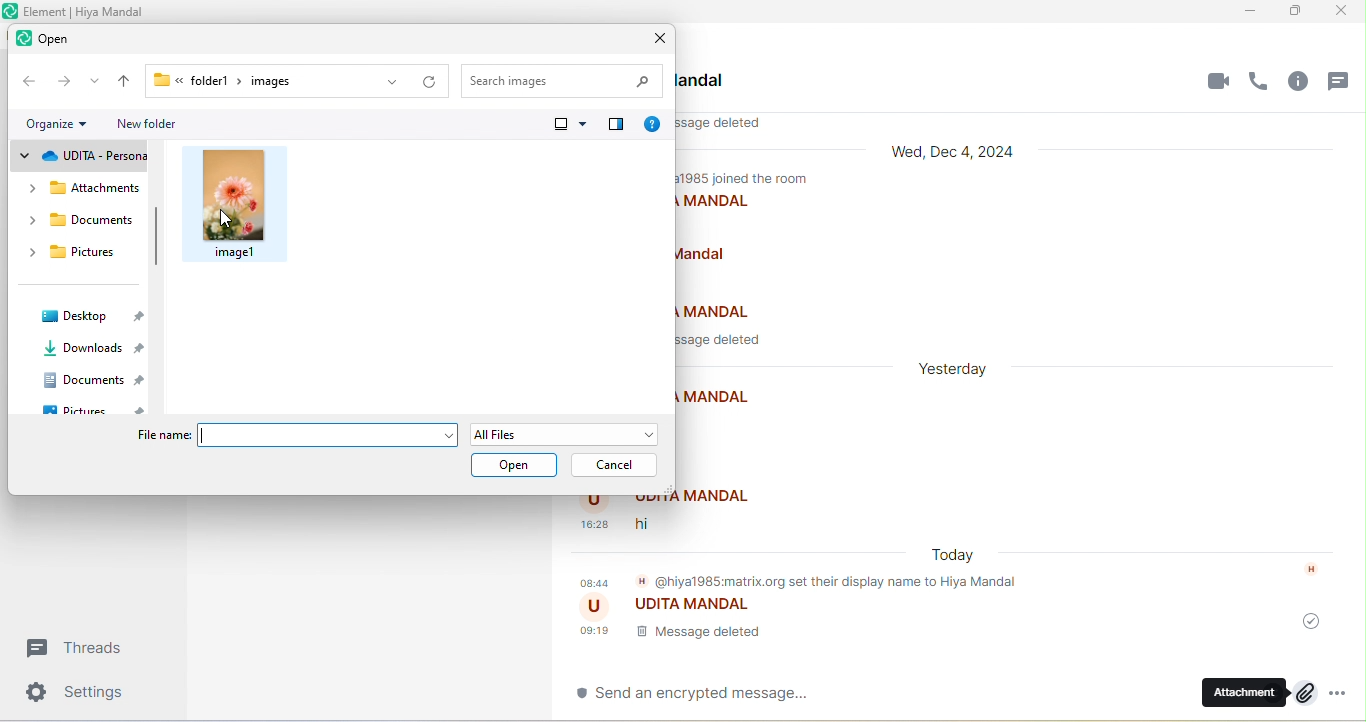 This screenshot has height=722, width=1366. What do you see at coordinates (228, 219) in the screenshot?
I see `cursor` at bounding box center [228, 219].